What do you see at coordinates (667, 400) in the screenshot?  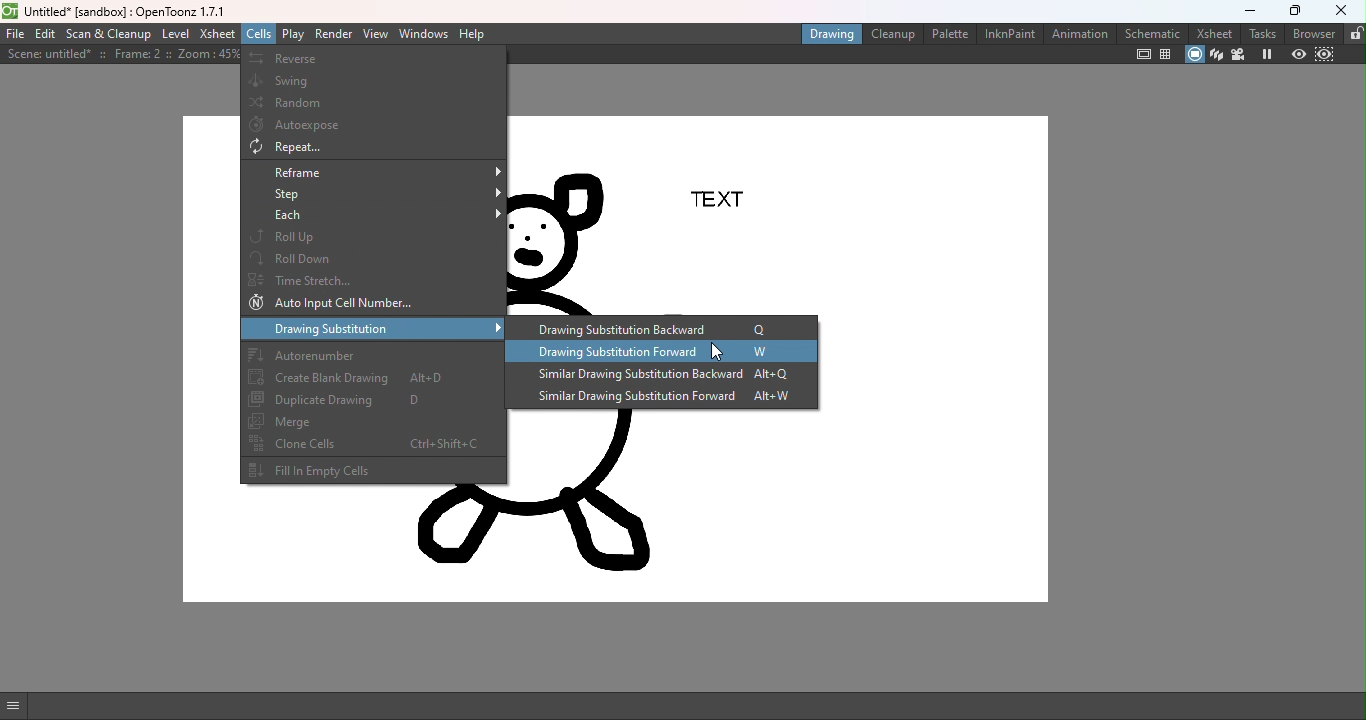 I see `Similar drawing substitution` at bounding box center [667, 400].